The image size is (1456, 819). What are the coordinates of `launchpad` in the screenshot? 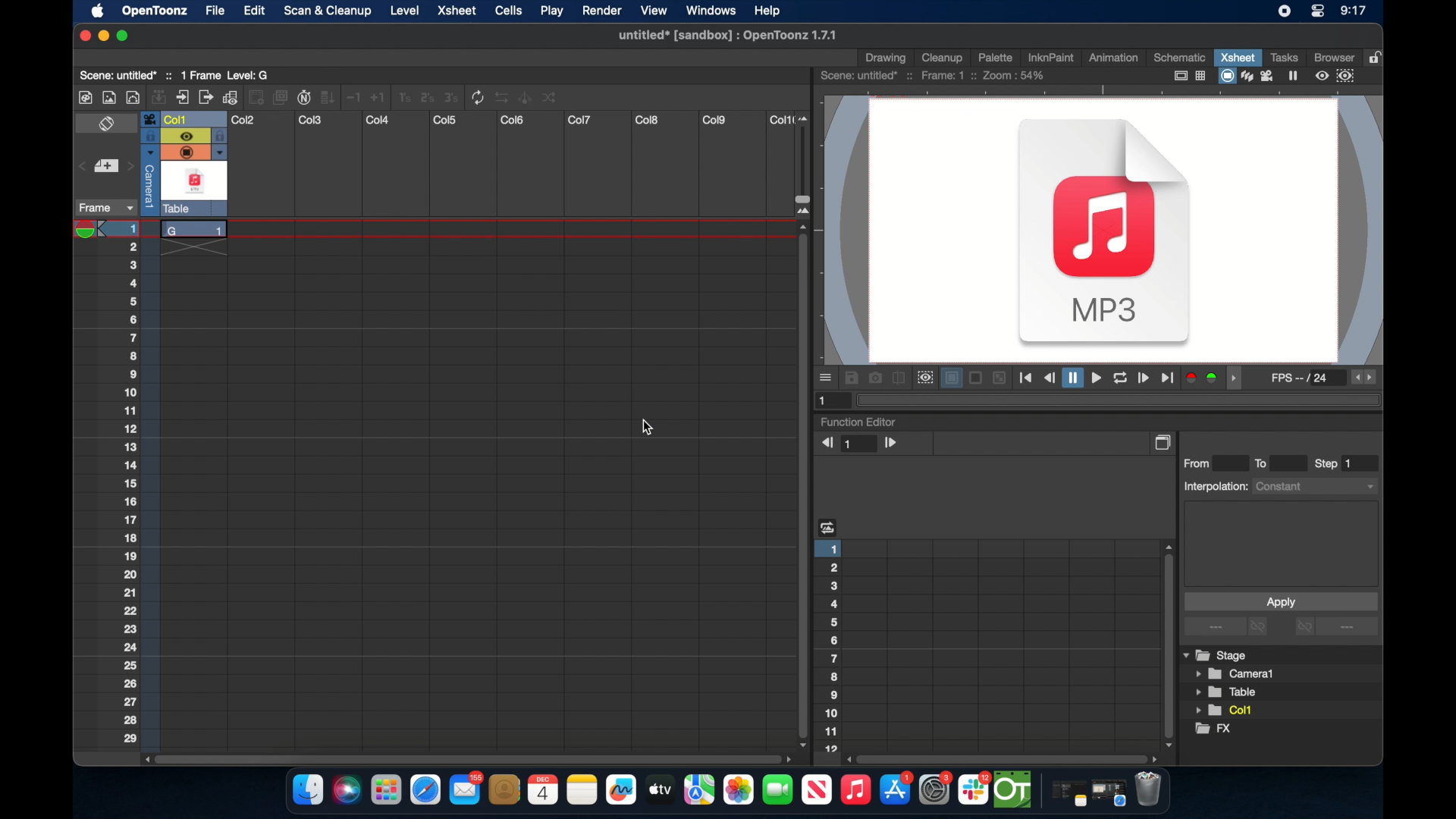 It's located at (385, 792).